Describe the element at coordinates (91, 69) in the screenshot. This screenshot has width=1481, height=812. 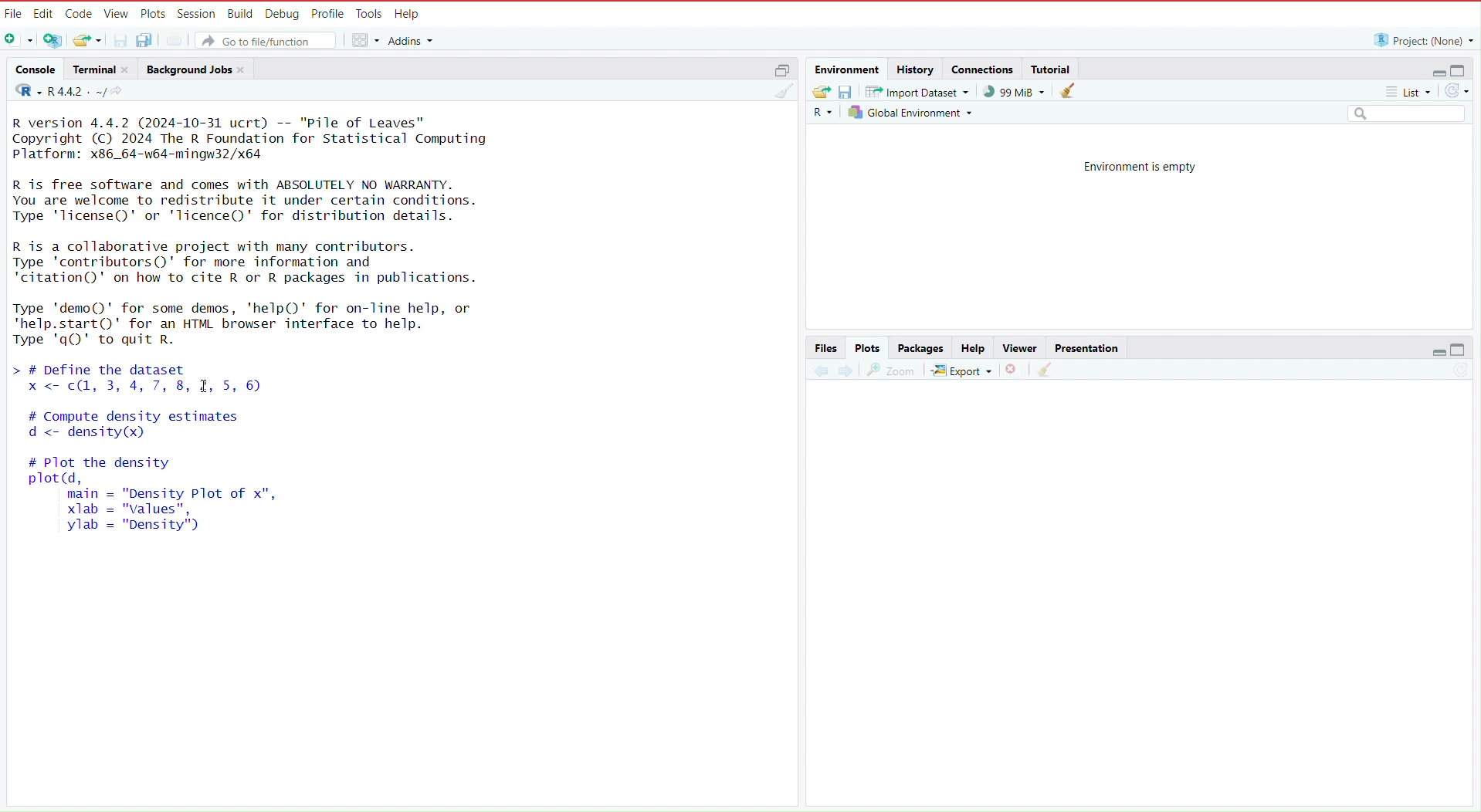
I see `terminal` at that location.